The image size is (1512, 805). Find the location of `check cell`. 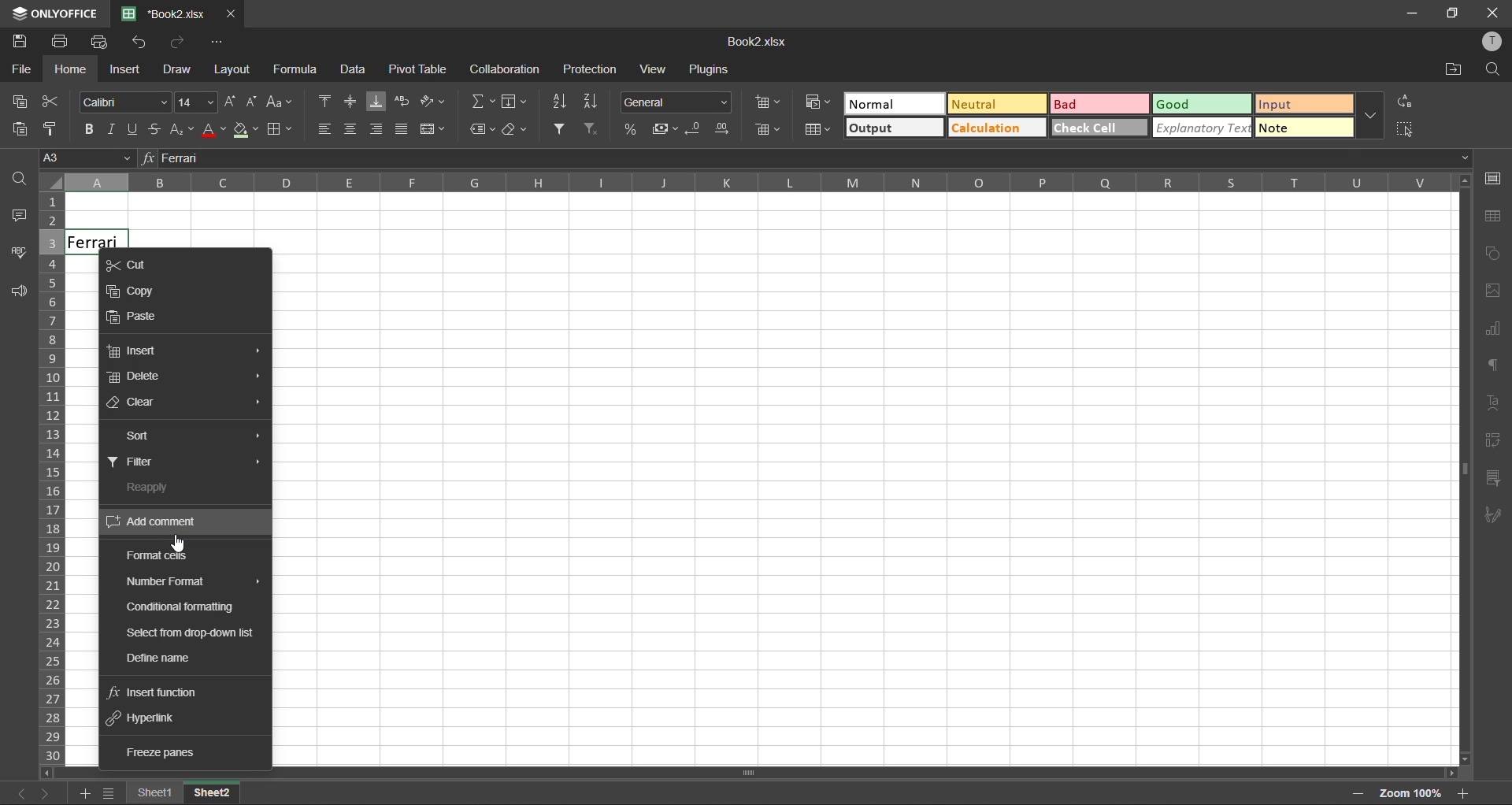

check cell is located at coordinates (1092, 130).